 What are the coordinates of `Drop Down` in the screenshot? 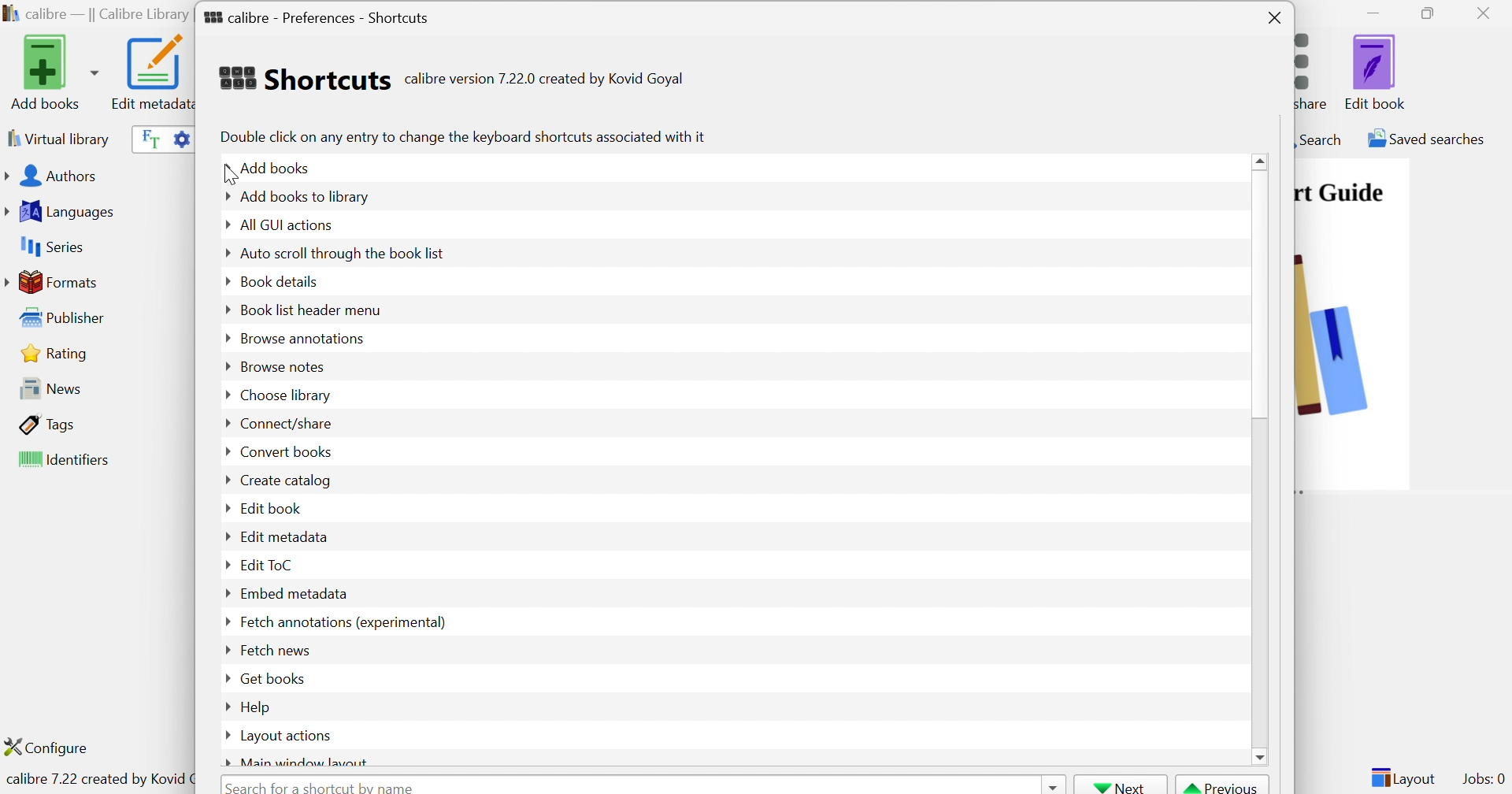 It's located at (225, 308).